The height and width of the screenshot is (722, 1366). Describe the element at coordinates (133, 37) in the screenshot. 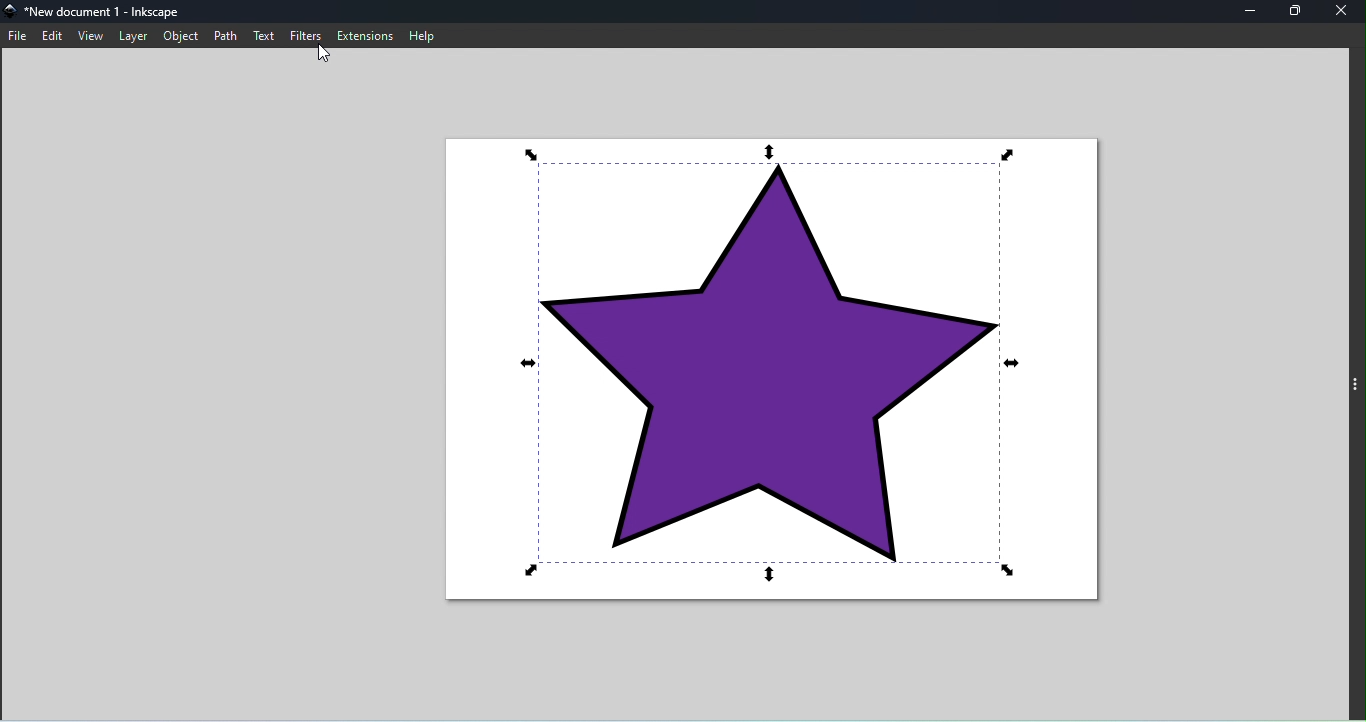

I see `layer` at that location.